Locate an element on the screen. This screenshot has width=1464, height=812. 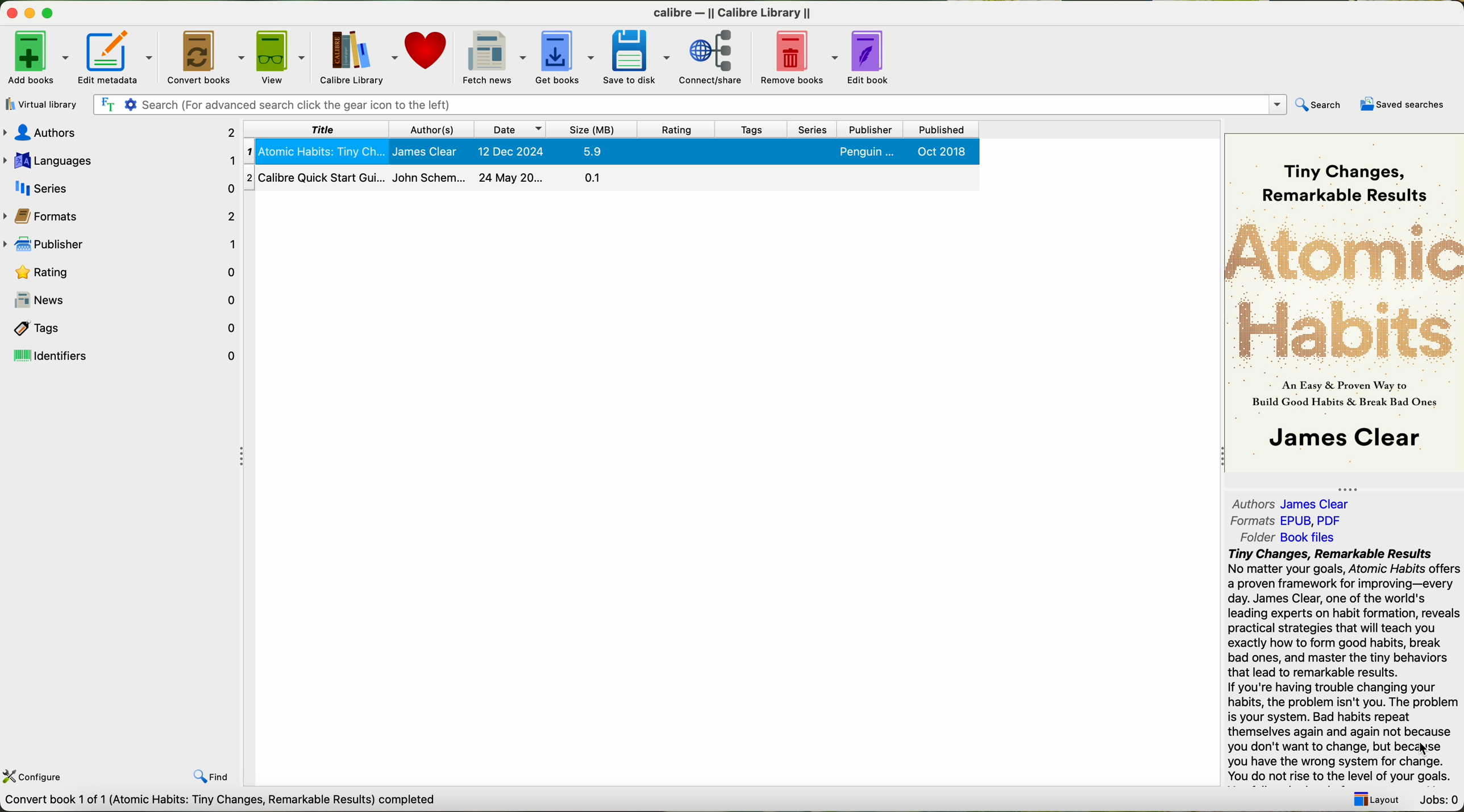
save to disk is located at coordinates (638, 57).